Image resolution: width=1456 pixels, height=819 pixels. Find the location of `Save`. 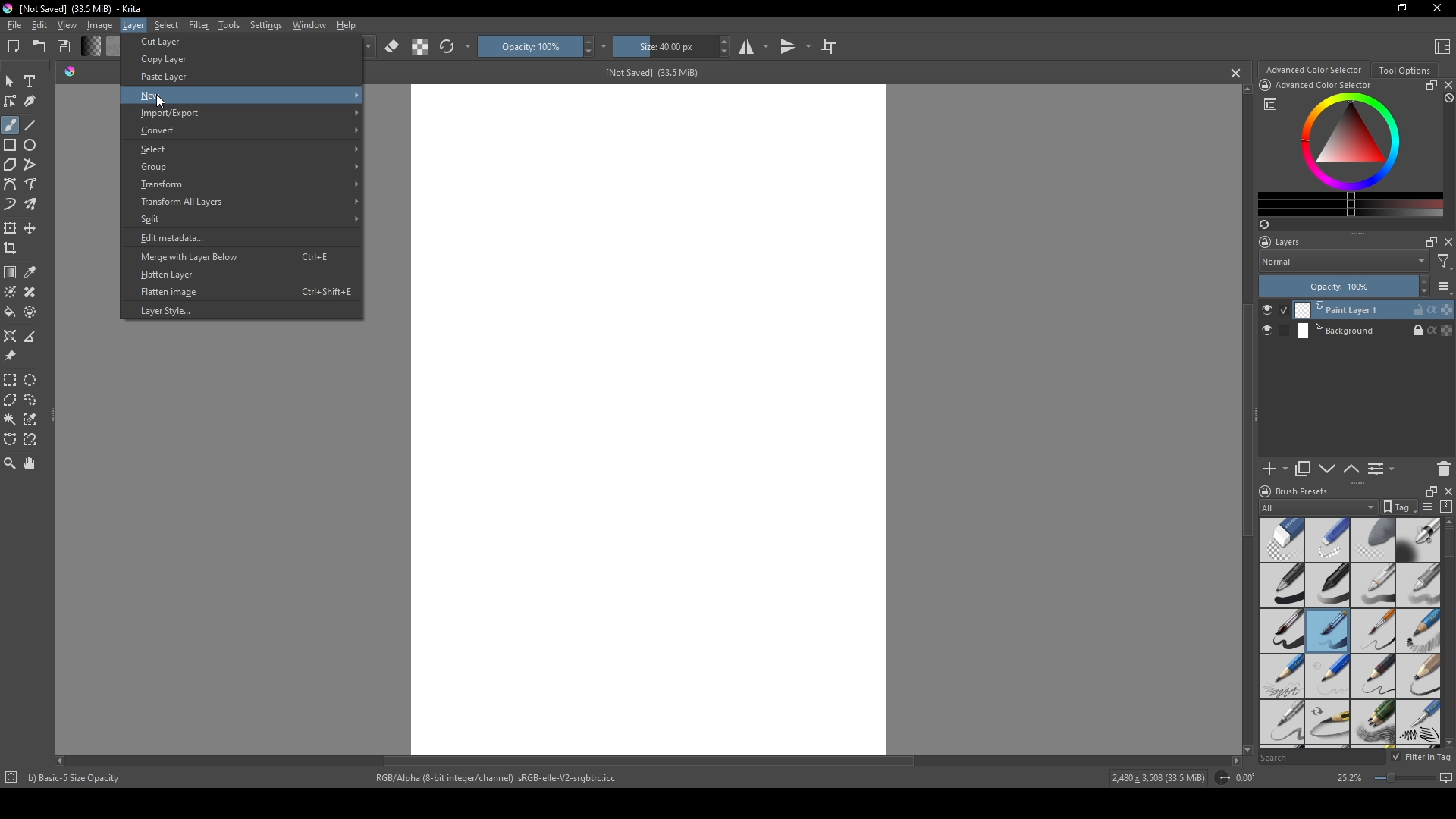

Save is located at coordinates (65, 45).